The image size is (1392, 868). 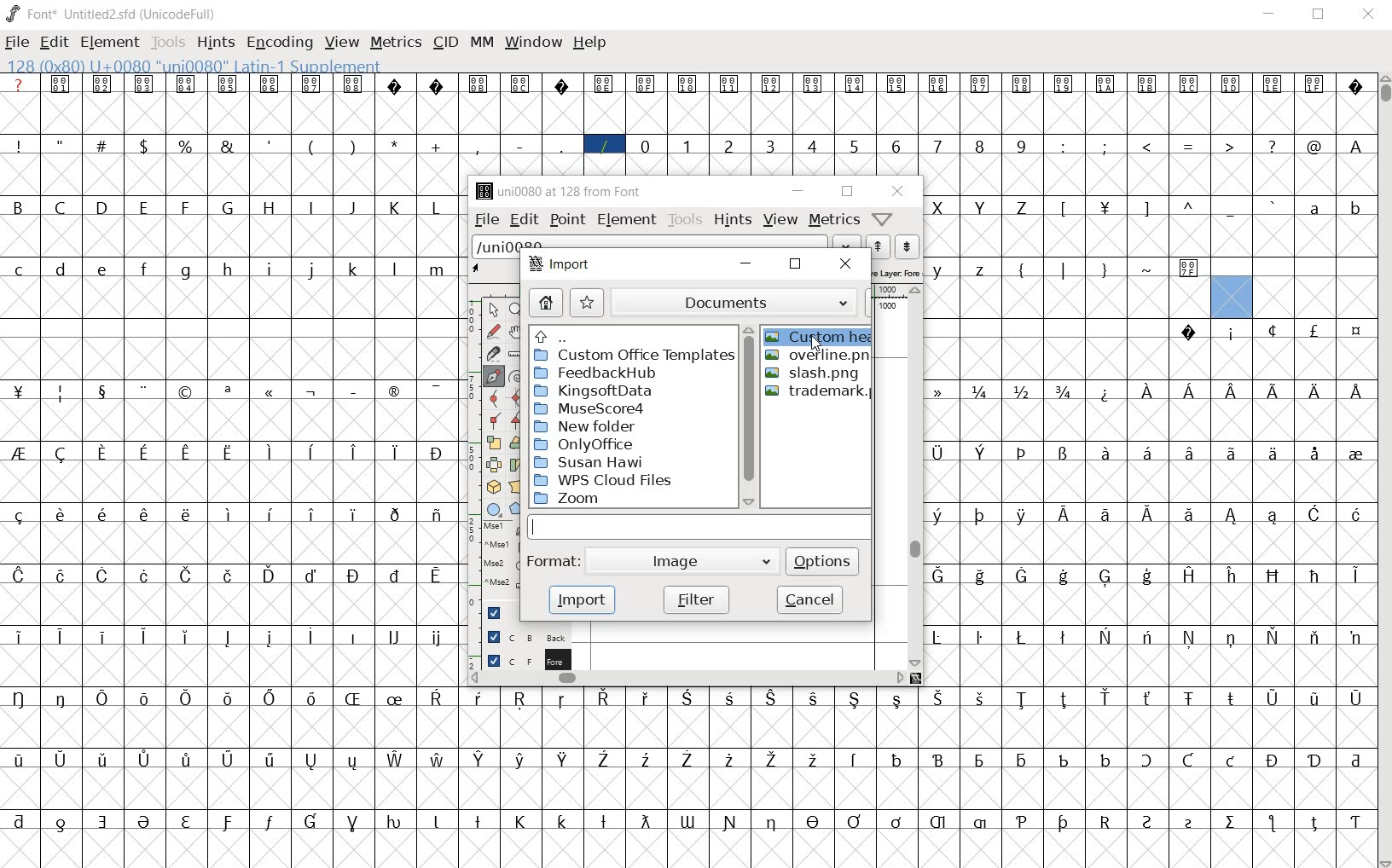 What do you see at coordinates (519, 636) in the screenshot?
I see `background layer` at bounding box center [519, 636].